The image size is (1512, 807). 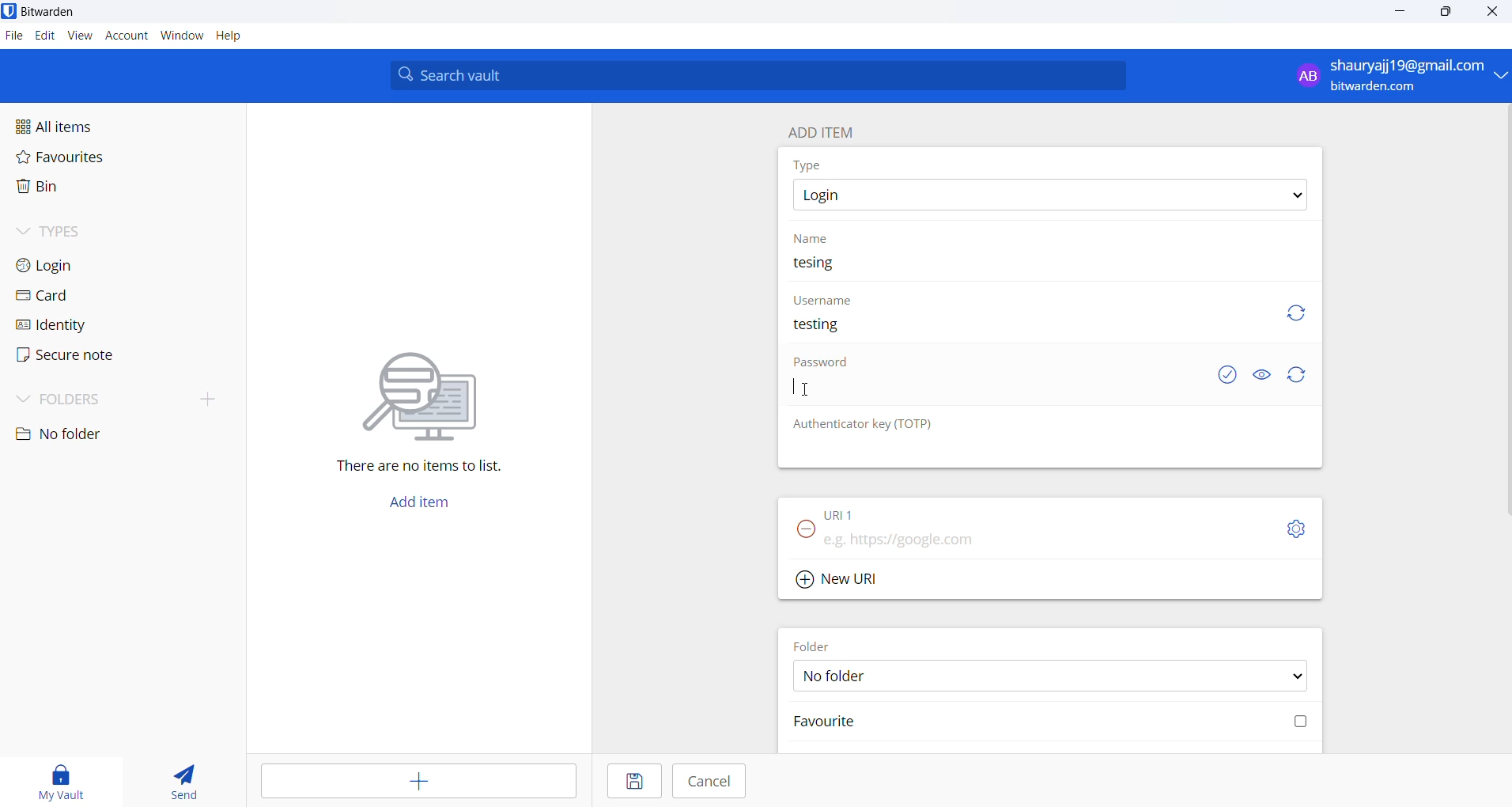 I want to click on Password input box, so click(x=1000, y=396).